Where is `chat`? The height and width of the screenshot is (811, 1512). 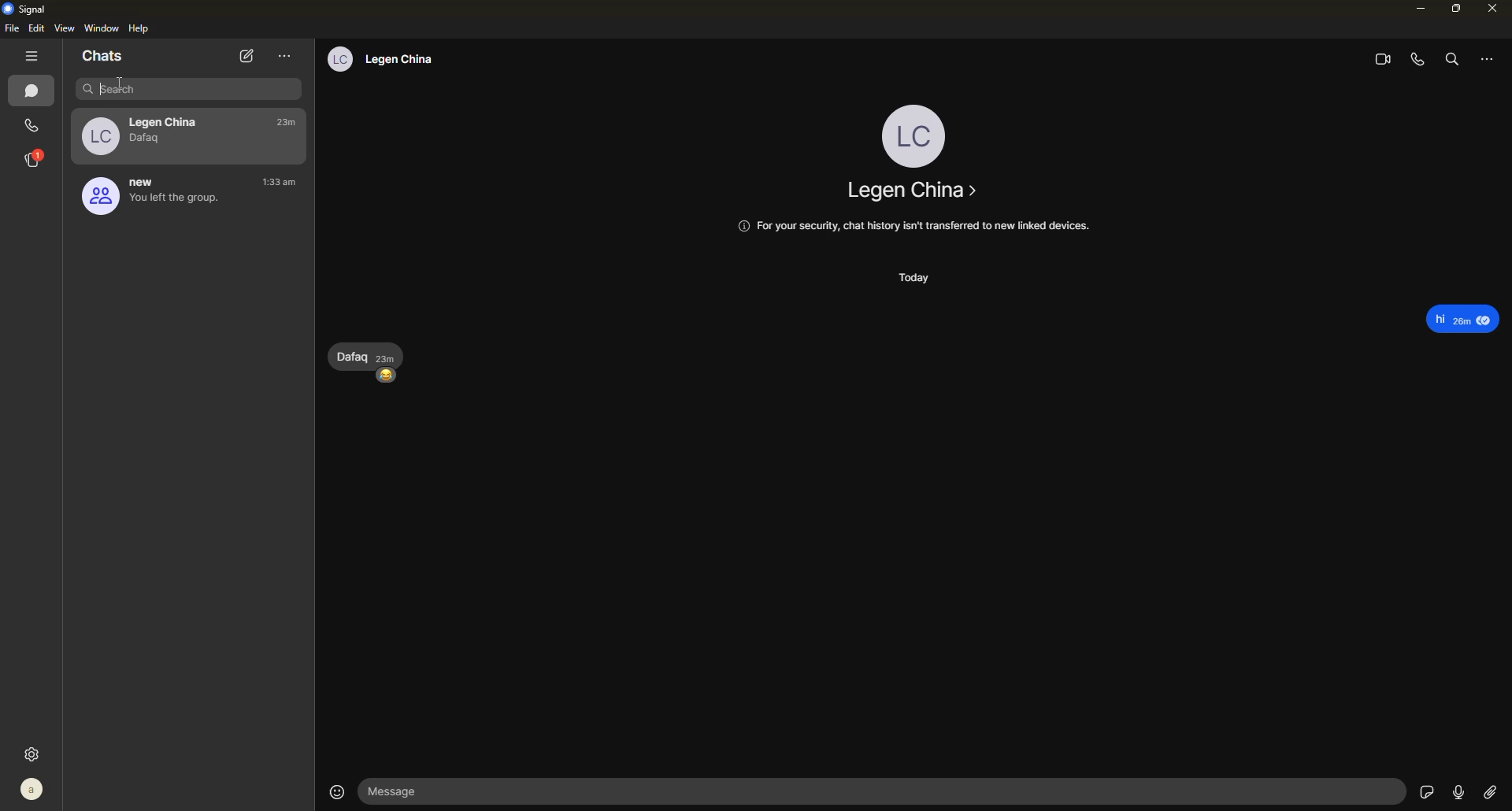
chat is located at coordinates (35, 94).